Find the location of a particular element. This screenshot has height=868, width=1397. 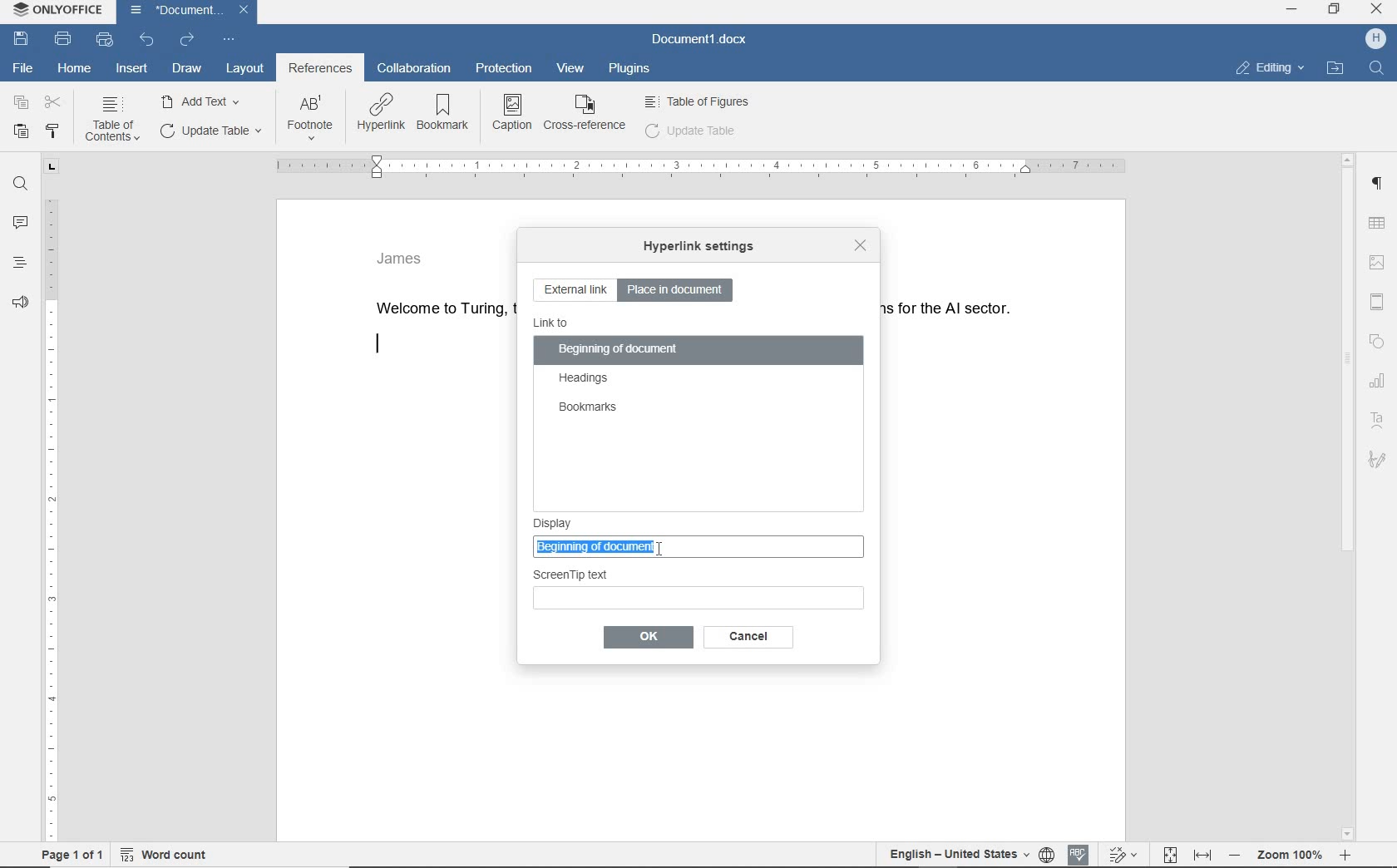

CROSS REFERENCE is located at coordinates (585, 112).